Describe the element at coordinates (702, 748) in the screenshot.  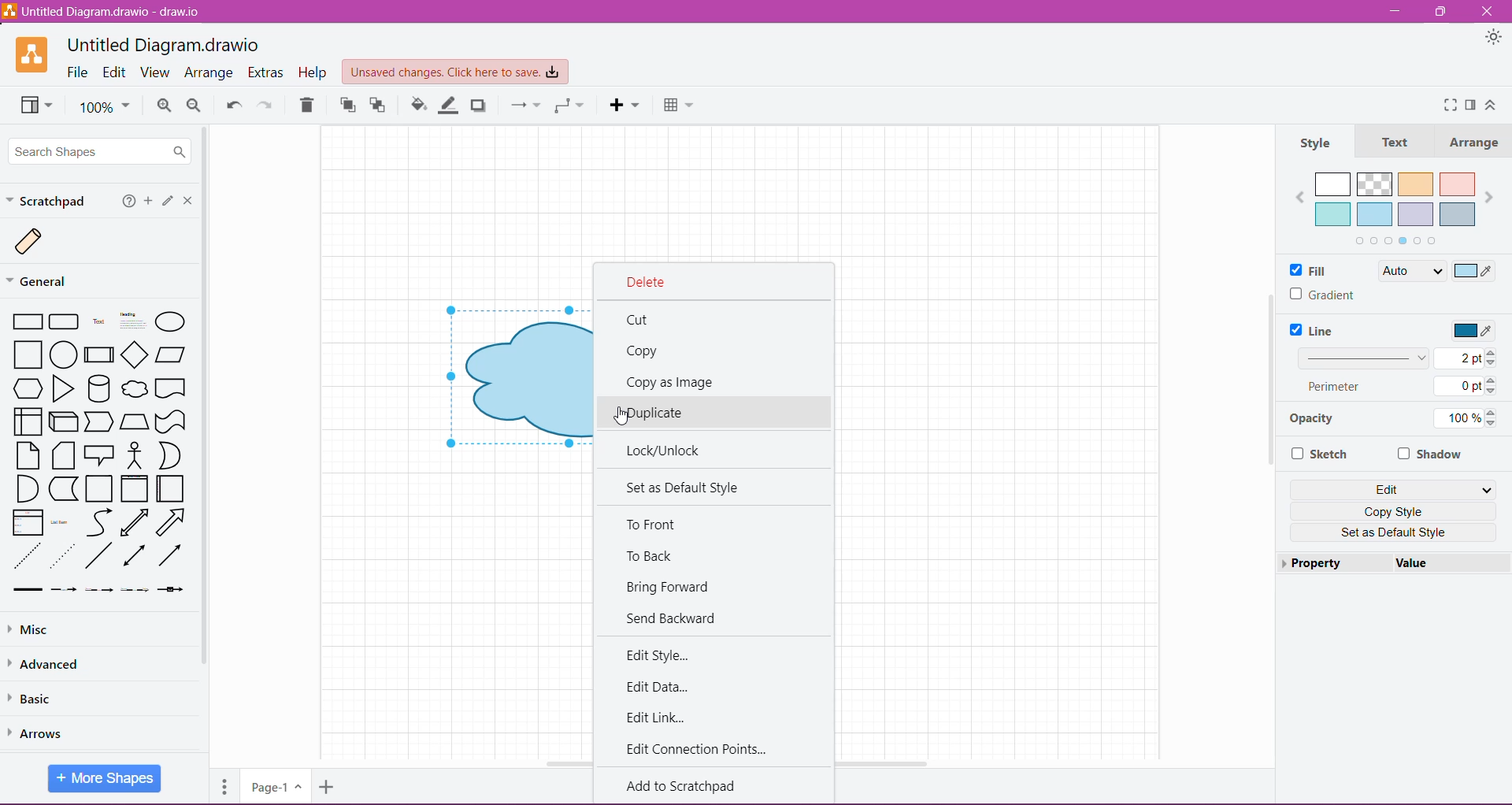
I see `Edit Connection Points` at that location.